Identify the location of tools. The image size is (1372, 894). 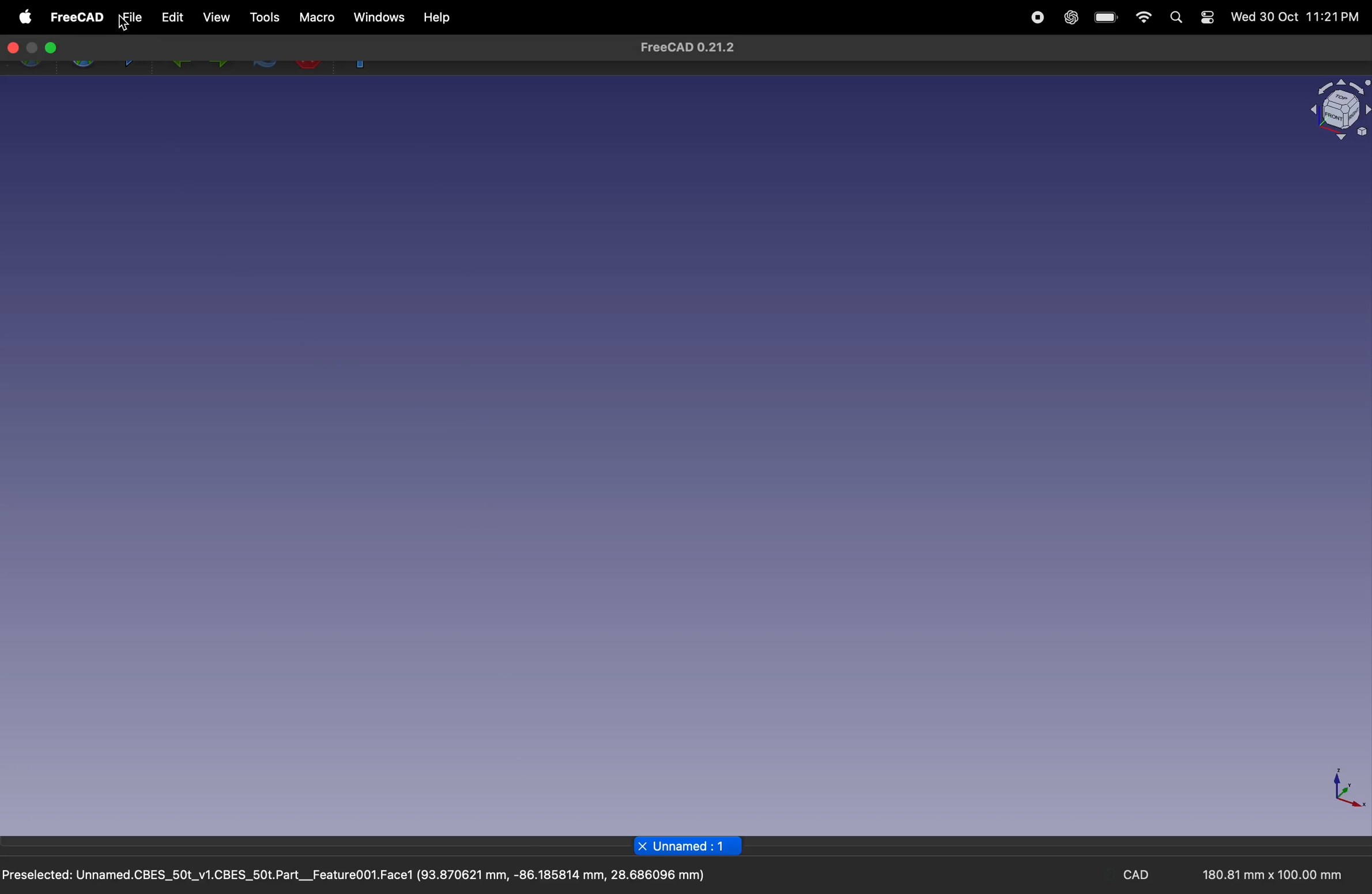
(261, 17).